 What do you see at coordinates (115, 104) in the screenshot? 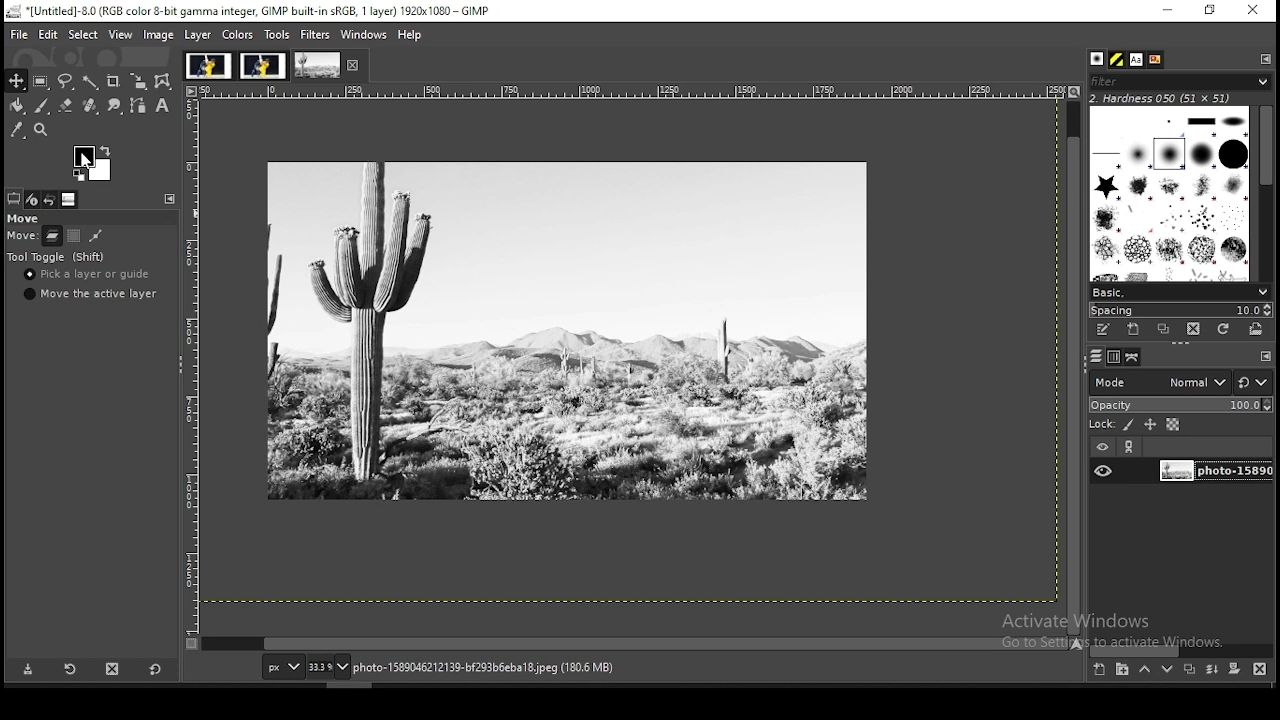
I see `smudge tool` at bounding box center [115, 104].